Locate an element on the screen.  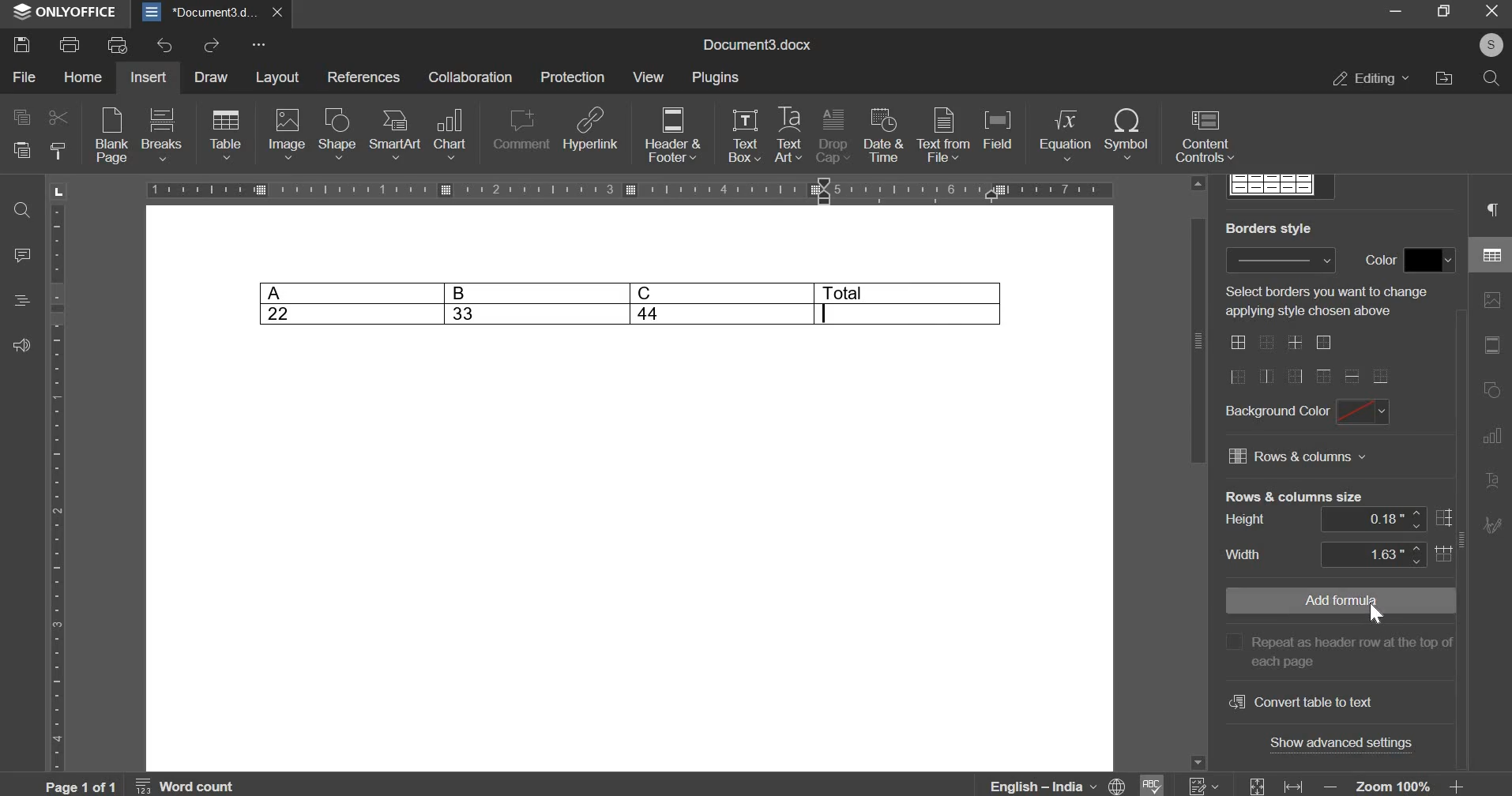
height is located at coordinates (1387, 521).